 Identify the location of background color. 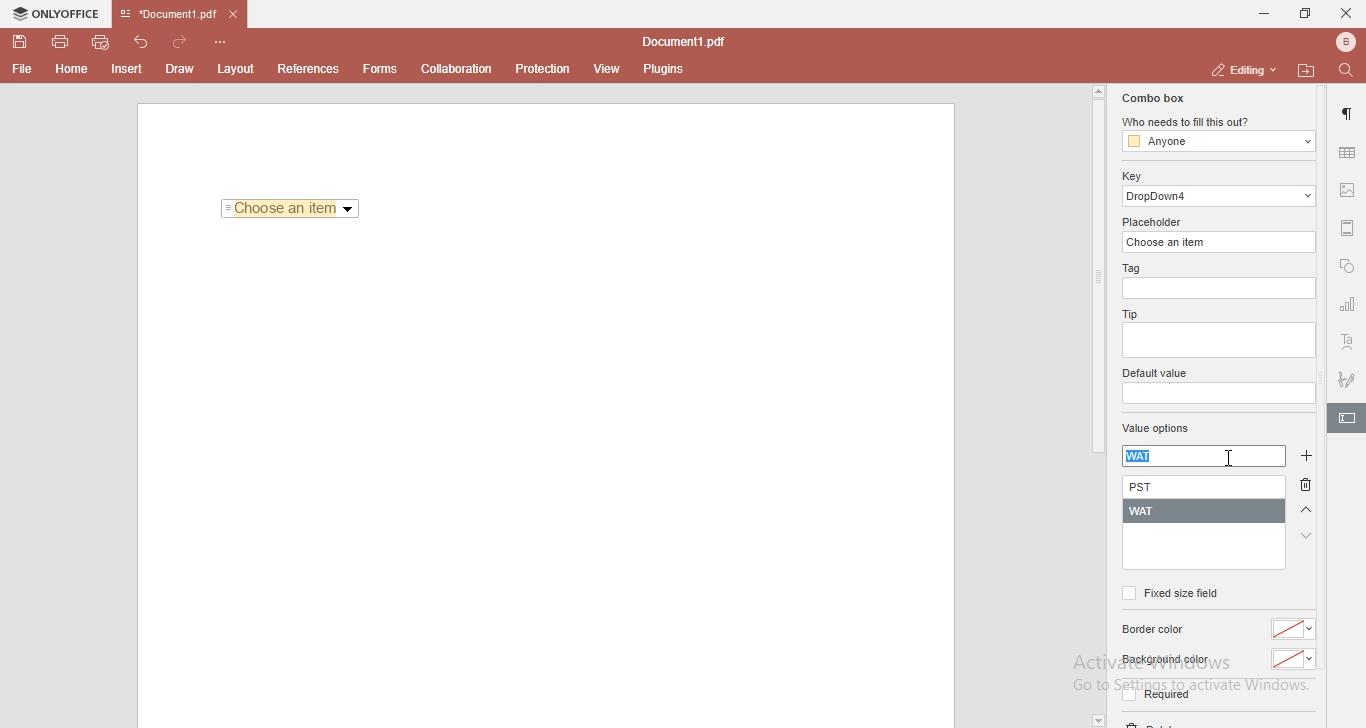
(1164, 660).